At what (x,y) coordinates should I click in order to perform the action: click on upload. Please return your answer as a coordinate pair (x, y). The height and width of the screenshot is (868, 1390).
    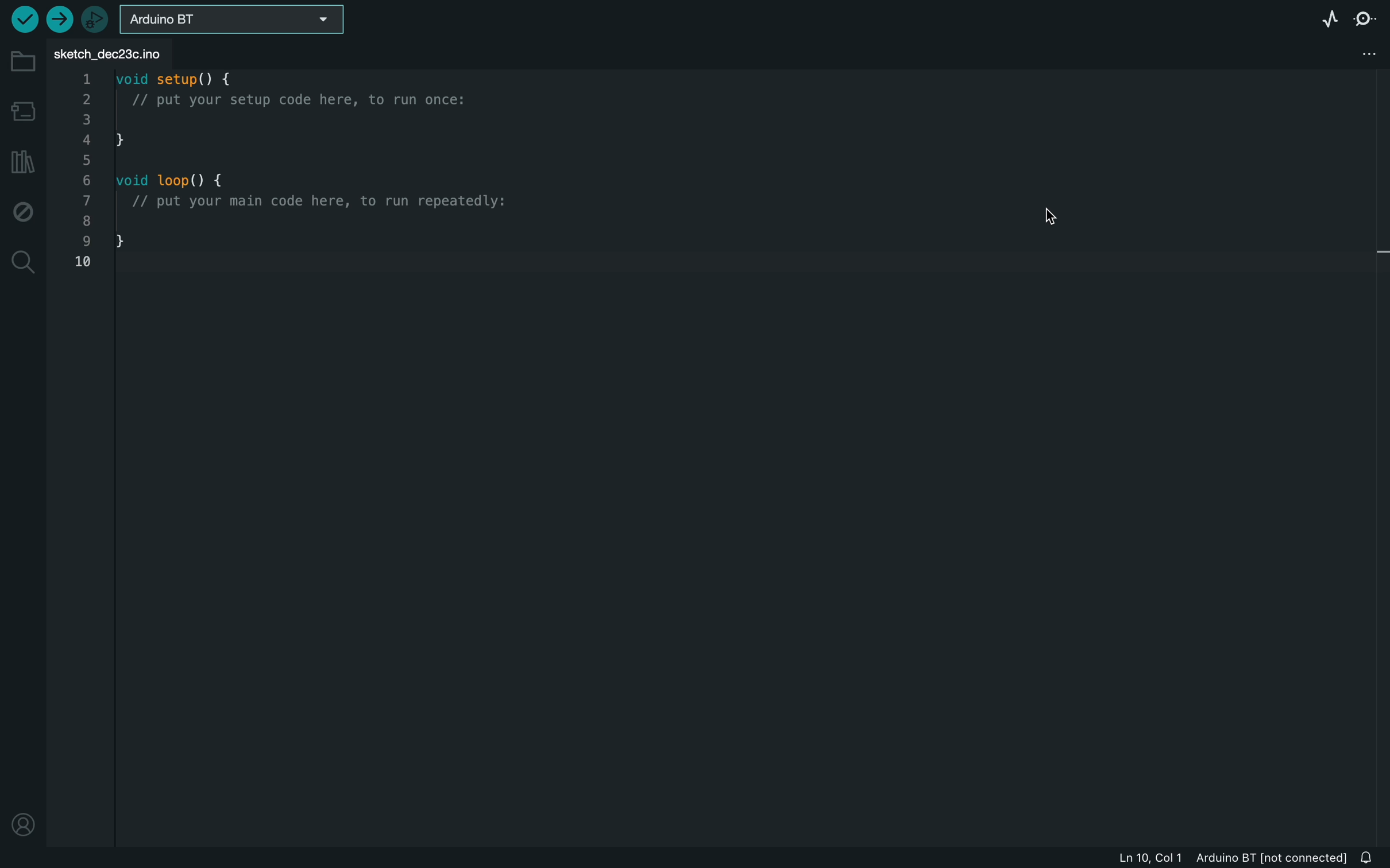
    Looking at the image, I should click on (59, 21).